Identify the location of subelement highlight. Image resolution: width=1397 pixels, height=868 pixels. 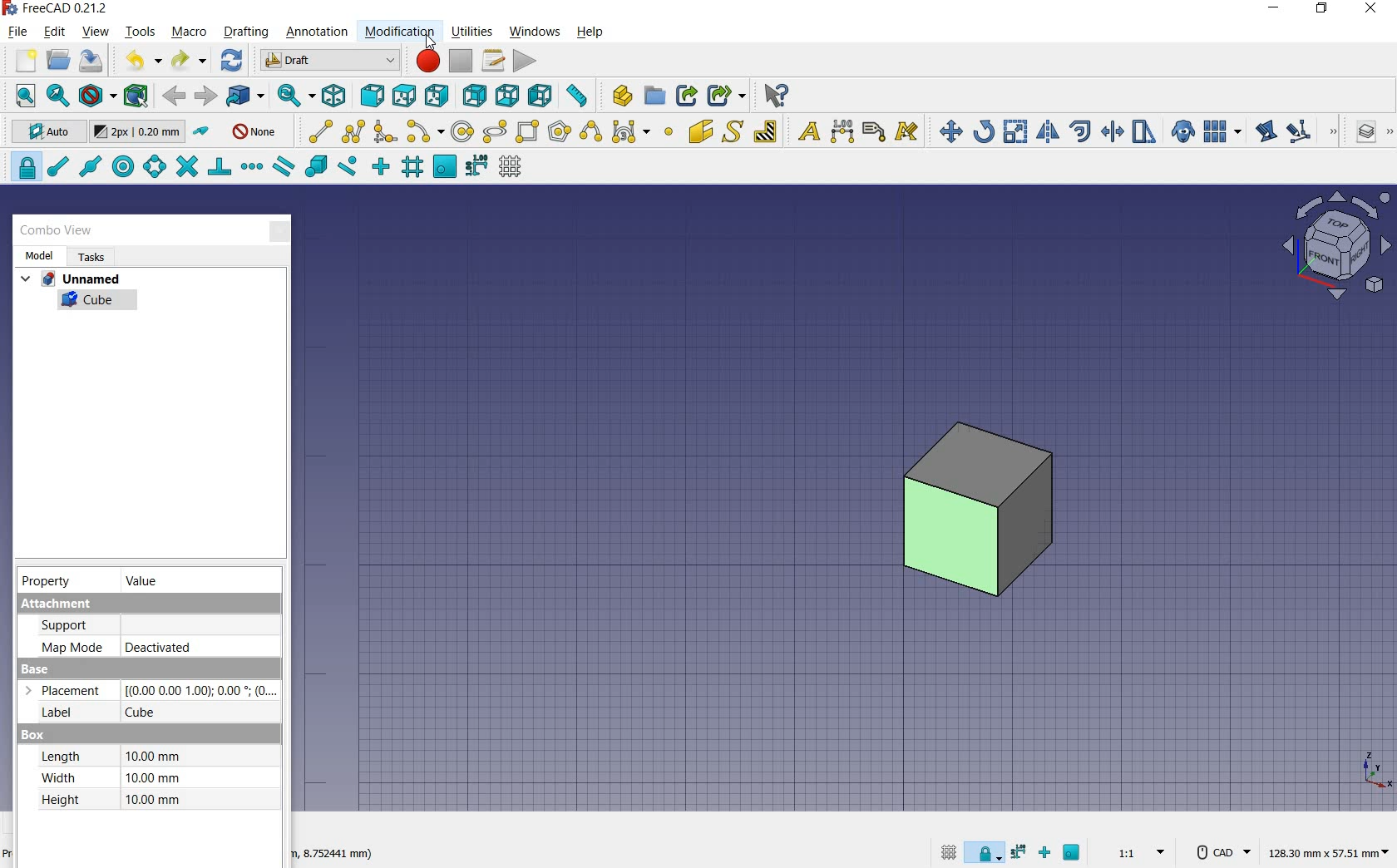
(1299, 133).